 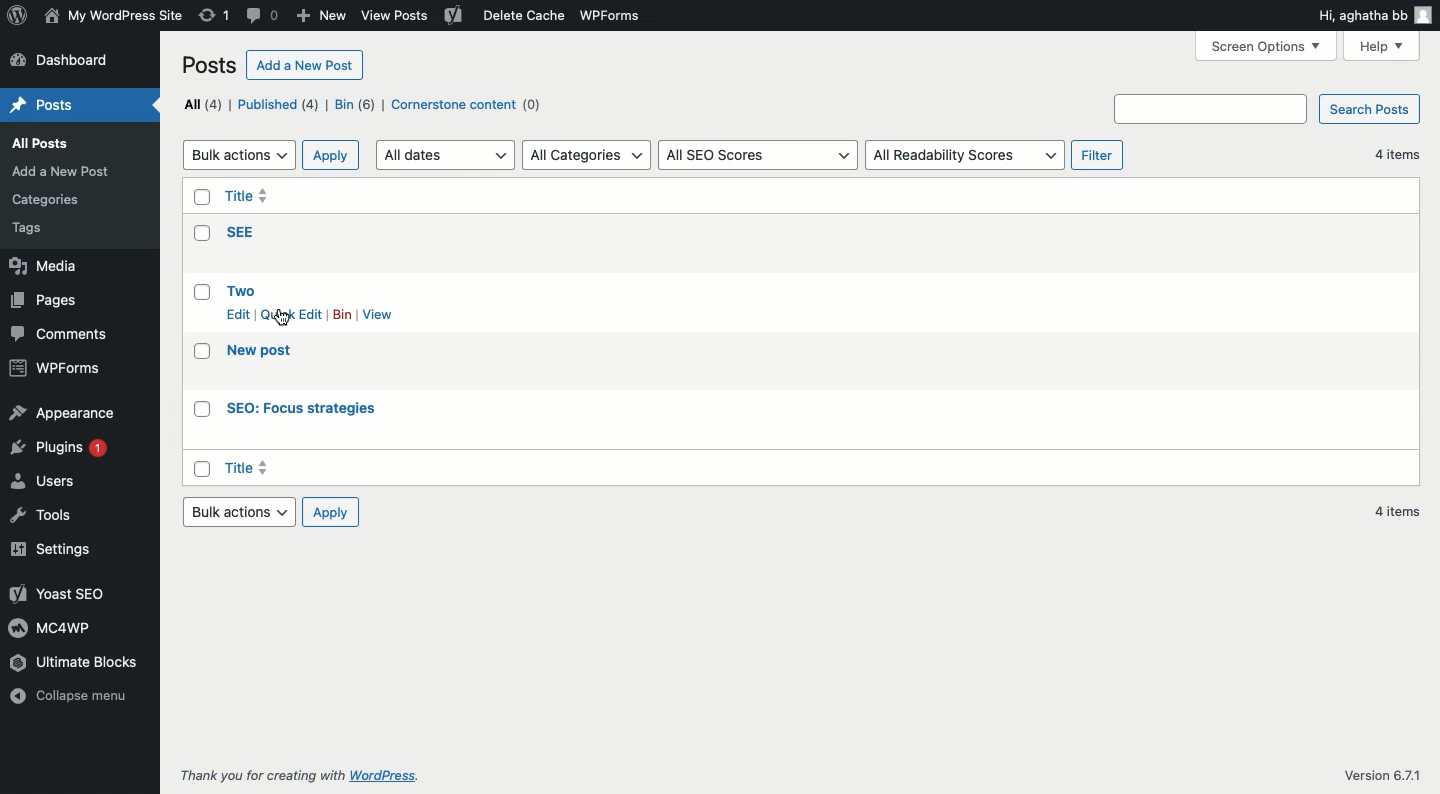 What do you see at coordinates (398, 17) in the screenshot?
I see `view posts` at bounding box center [398, 17].